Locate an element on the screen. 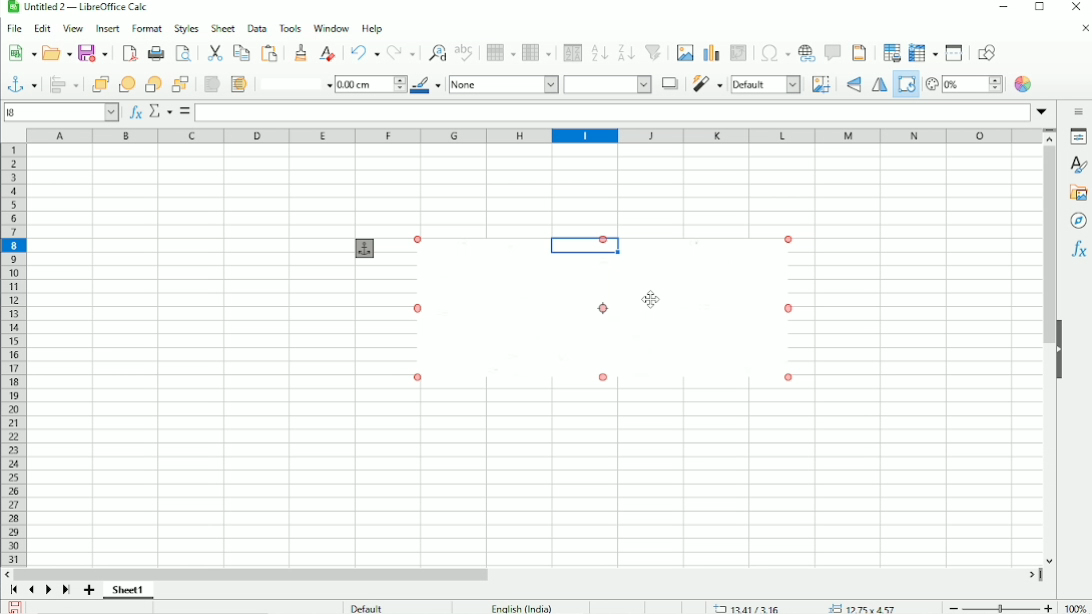 This screenshot has height=614, width=1092. Area style is located at coordinates (608, 84).